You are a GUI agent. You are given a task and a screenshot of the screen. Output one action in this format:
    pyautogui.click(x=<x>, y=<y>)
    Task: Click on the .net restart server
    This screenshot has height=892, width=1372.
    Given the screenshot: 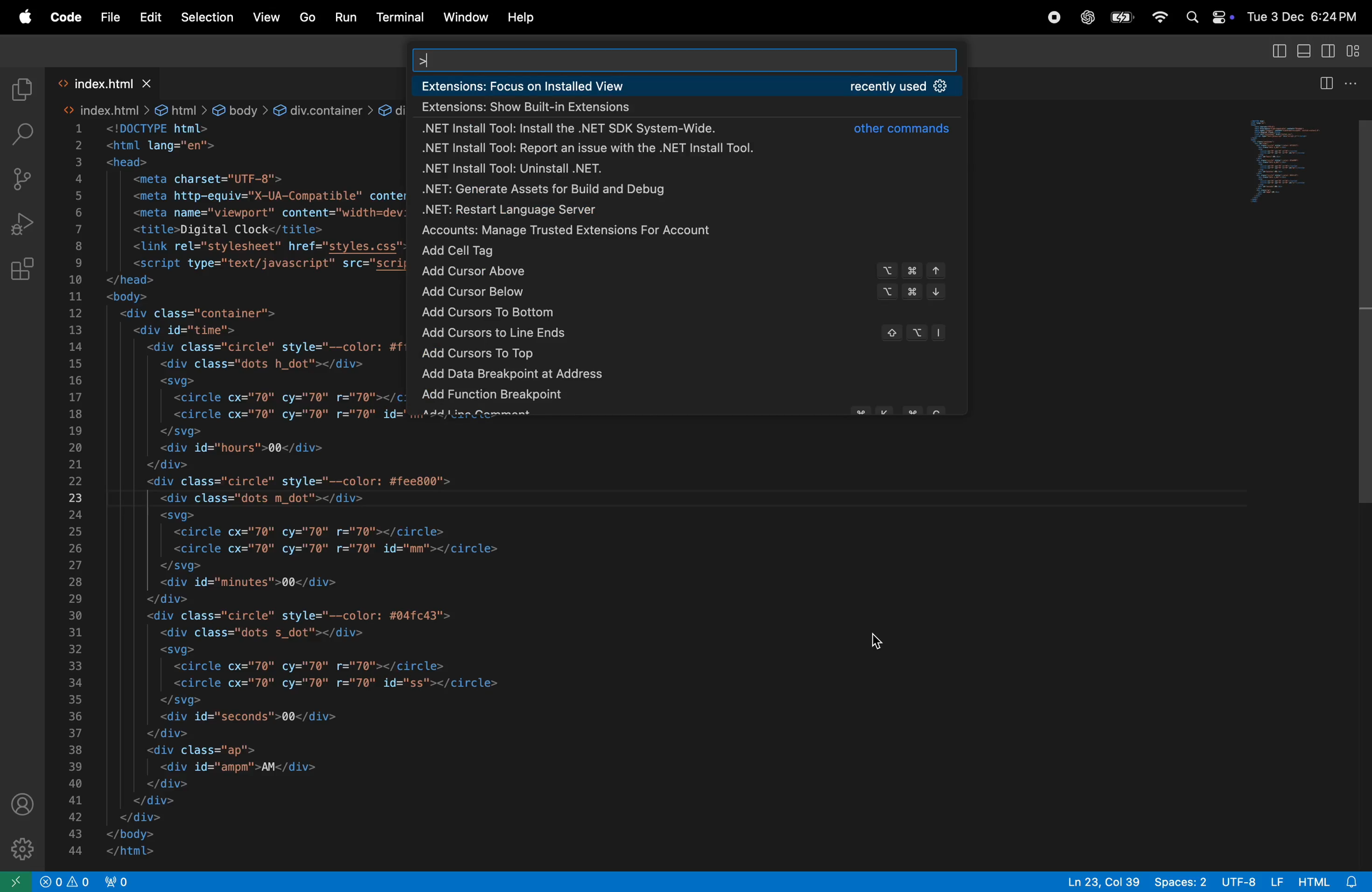 What is the action you would take?
    pyautogui.click(x=691, y=210)
    